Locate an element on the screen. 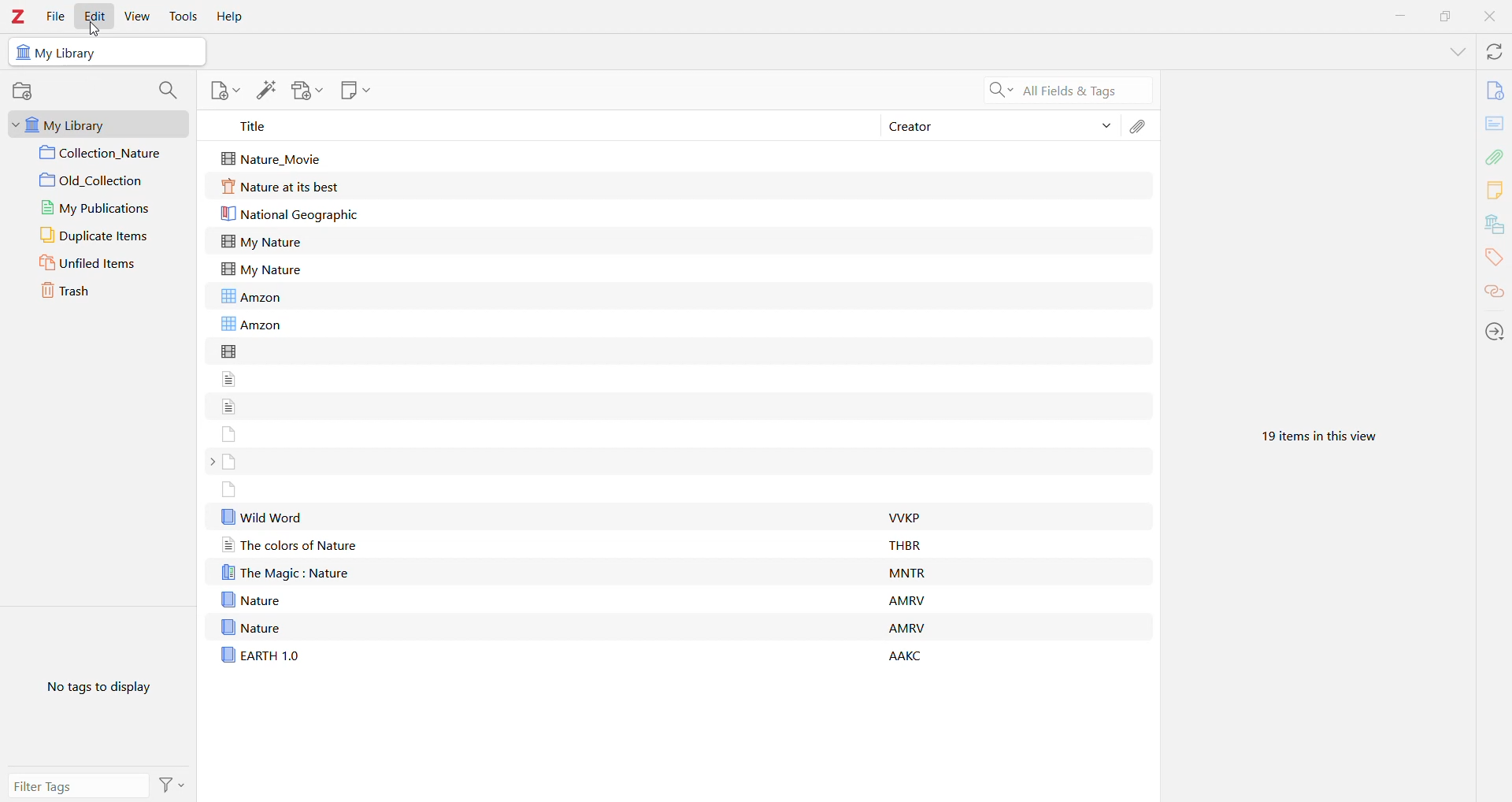 The width and height of the screenshot is (1512, 802). Amzon is located at coordinates (258, 295).